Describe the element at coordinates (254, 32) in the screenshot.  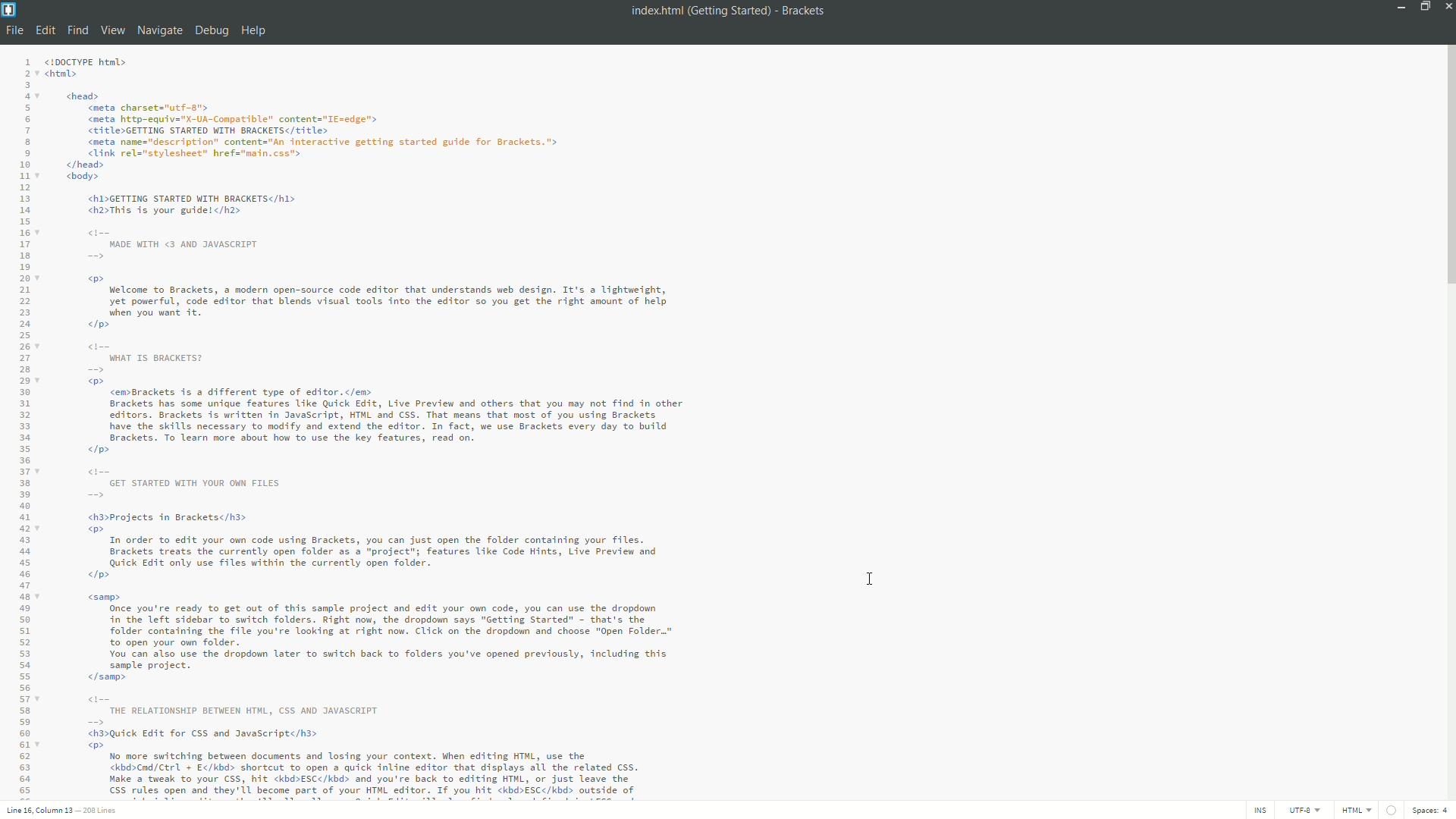
I see `help menu` at that location.